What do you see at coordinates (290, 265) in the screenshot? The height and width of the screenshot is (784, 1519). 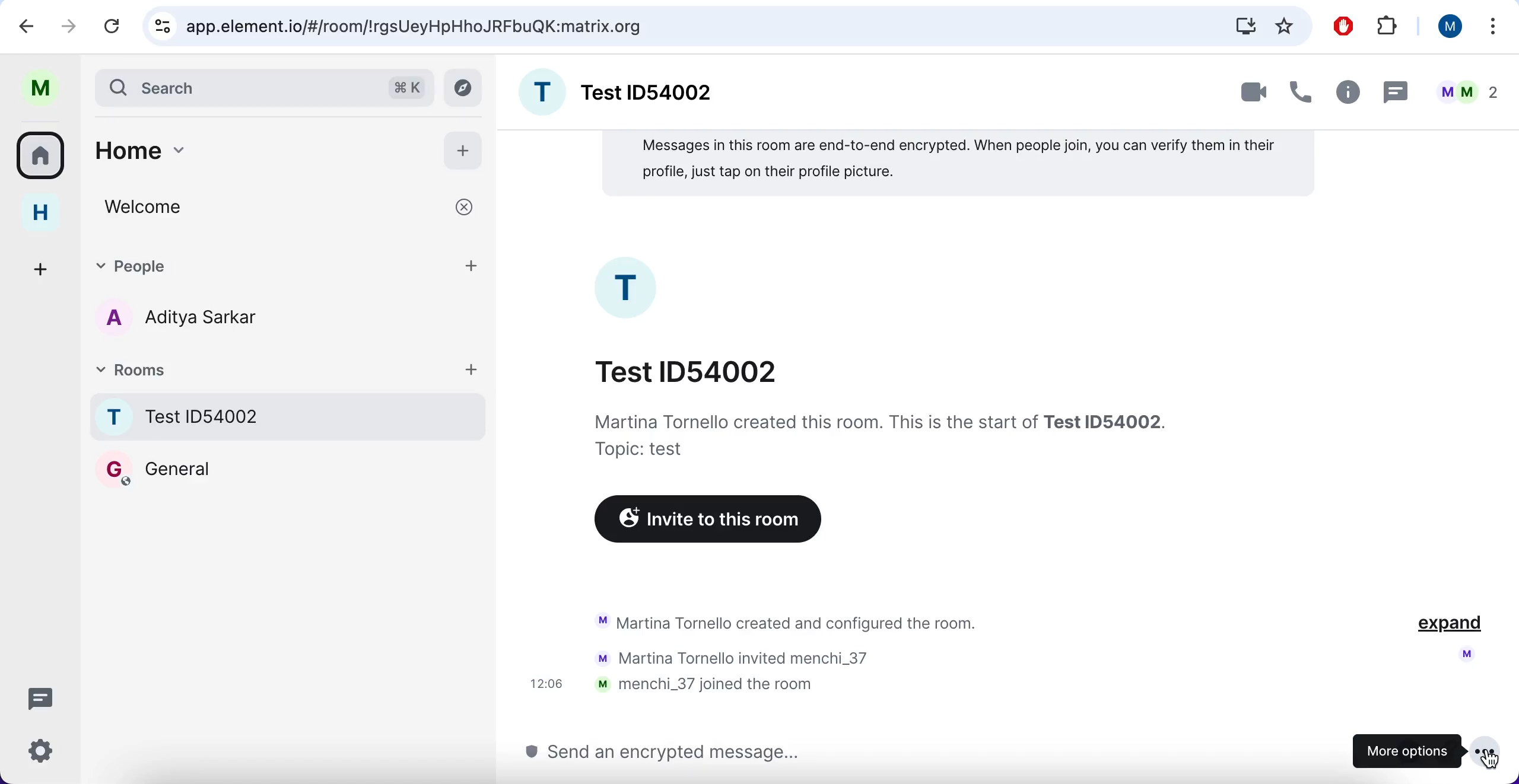 I see `people` at bounding box center [290, 265].